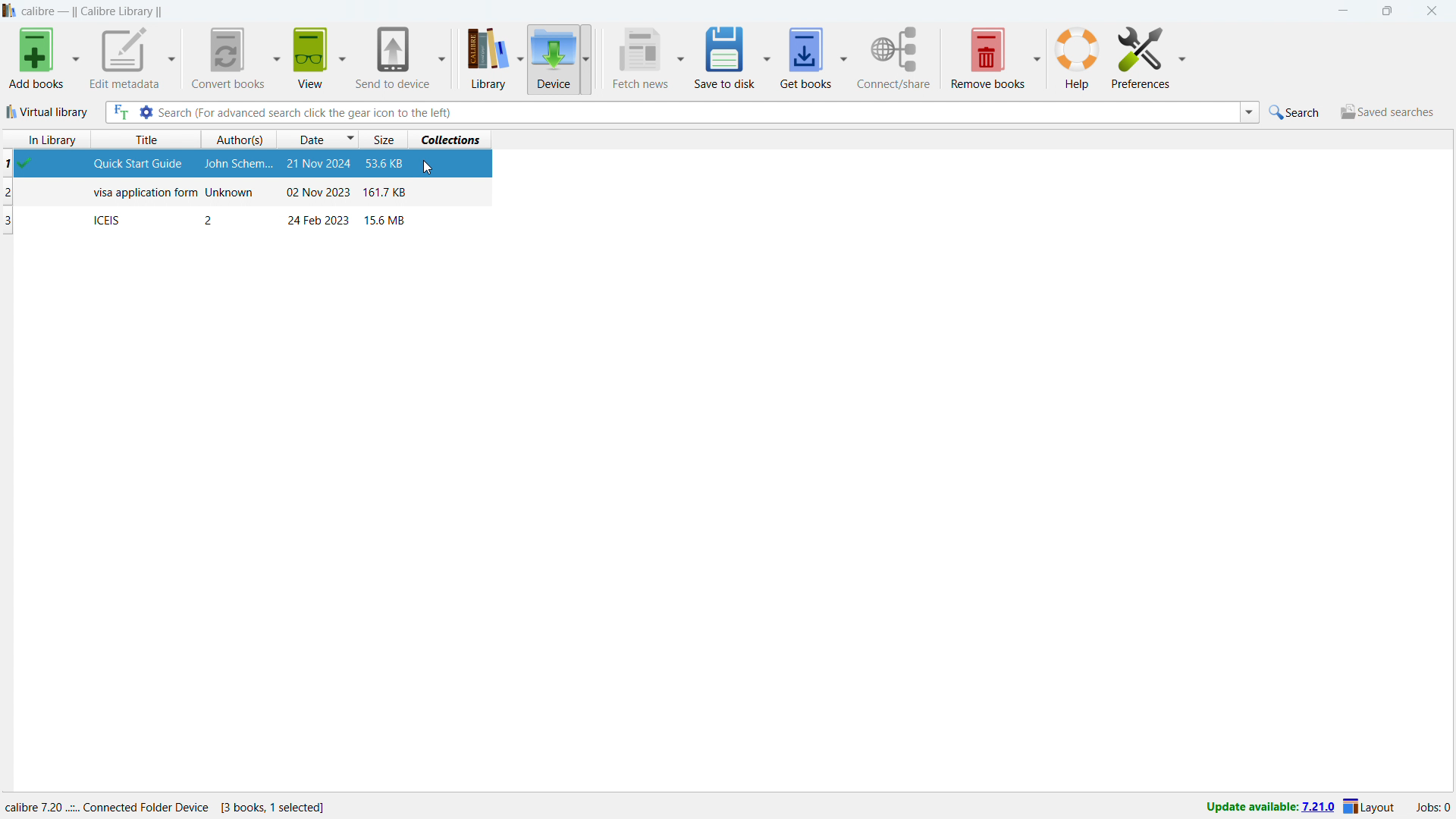 The height and width of the screenshot is (819, 1456). Describe the element at coordinates (1297, 112) in the screenshot. I see `quick search` at that location.